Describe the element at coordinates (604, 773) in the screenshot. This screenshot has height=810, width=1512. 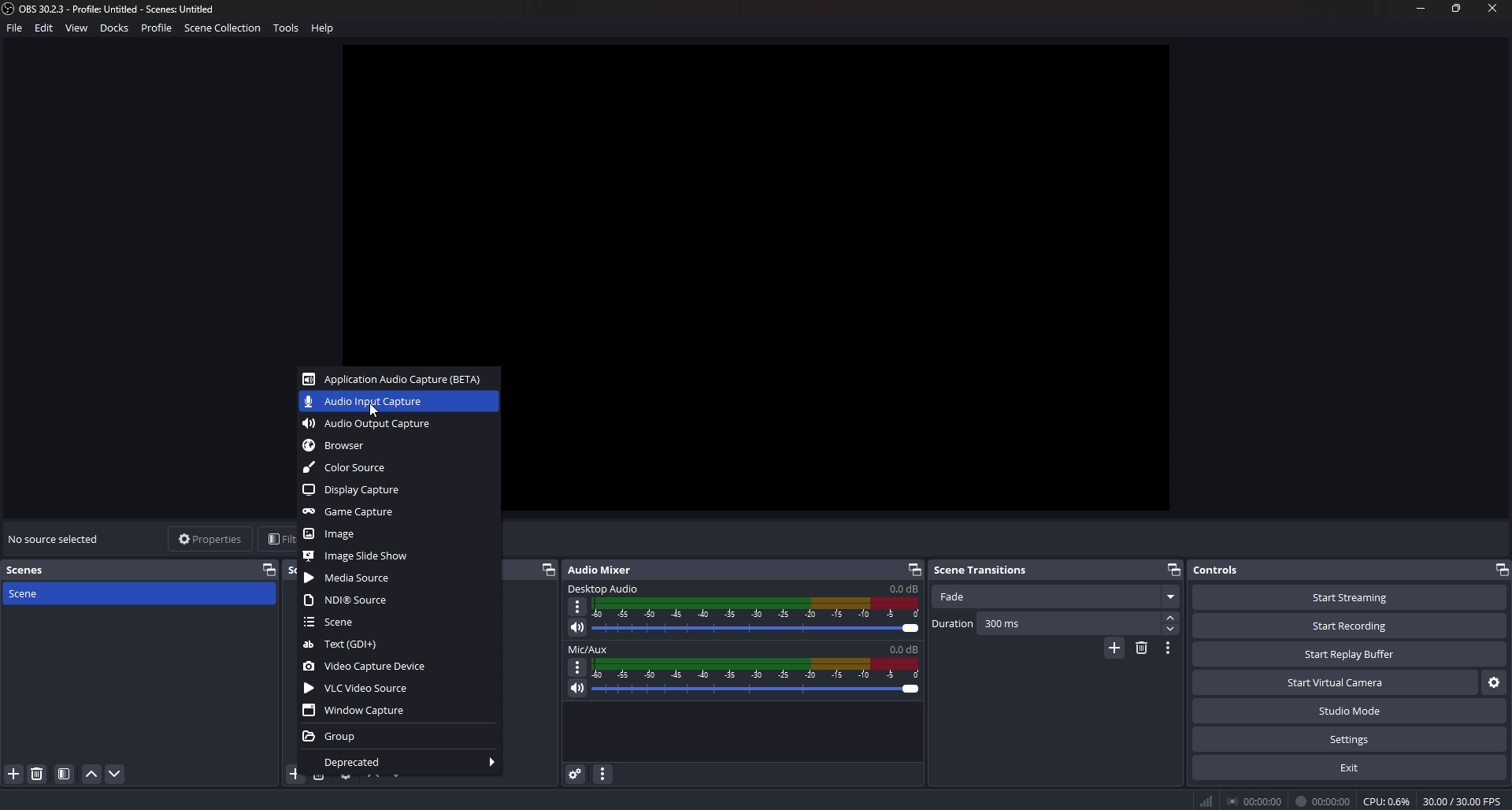
I see `audio mixer menu` at that location.